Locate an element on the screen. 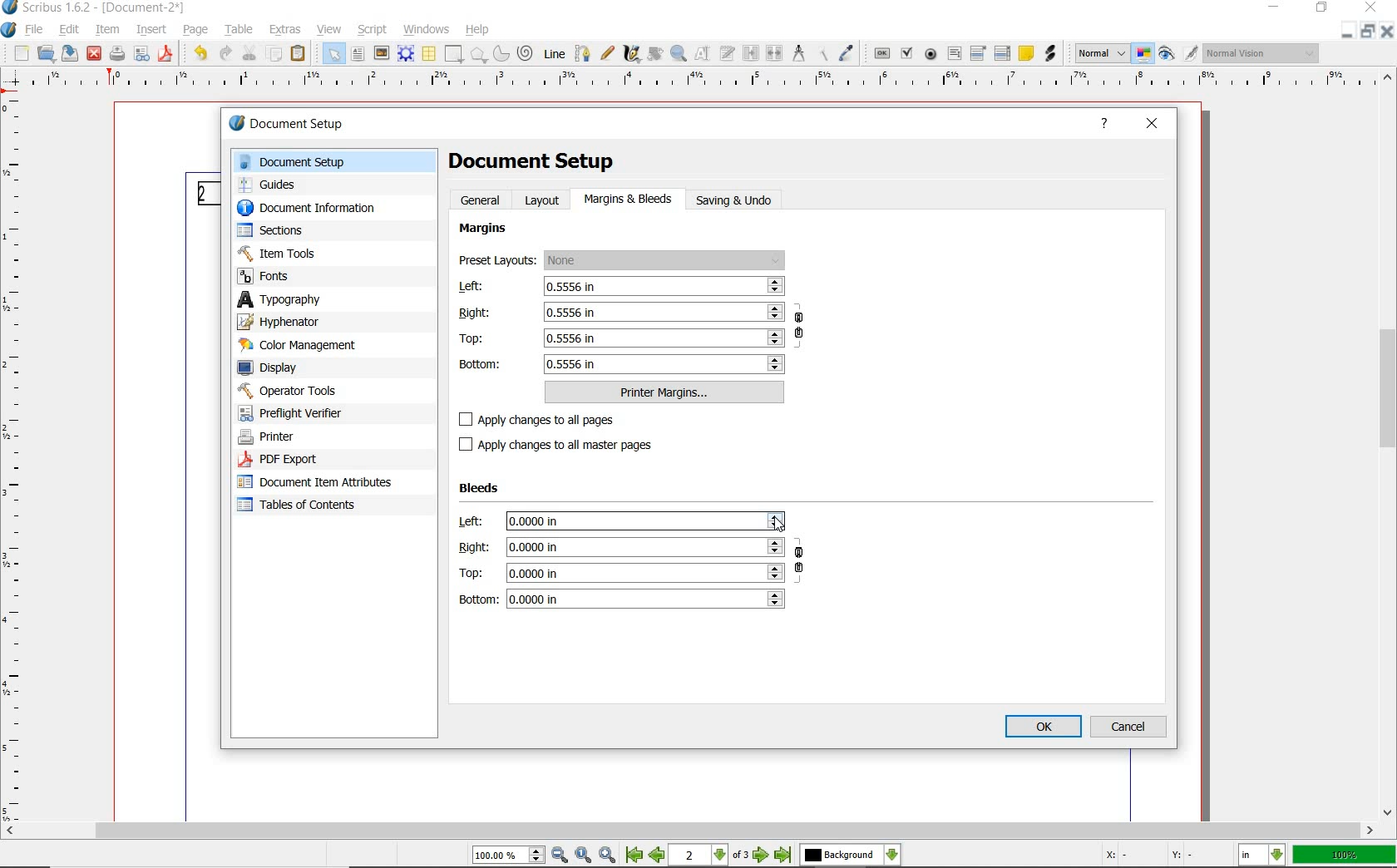  edit text with story editor is located at coordinates (728, 53).